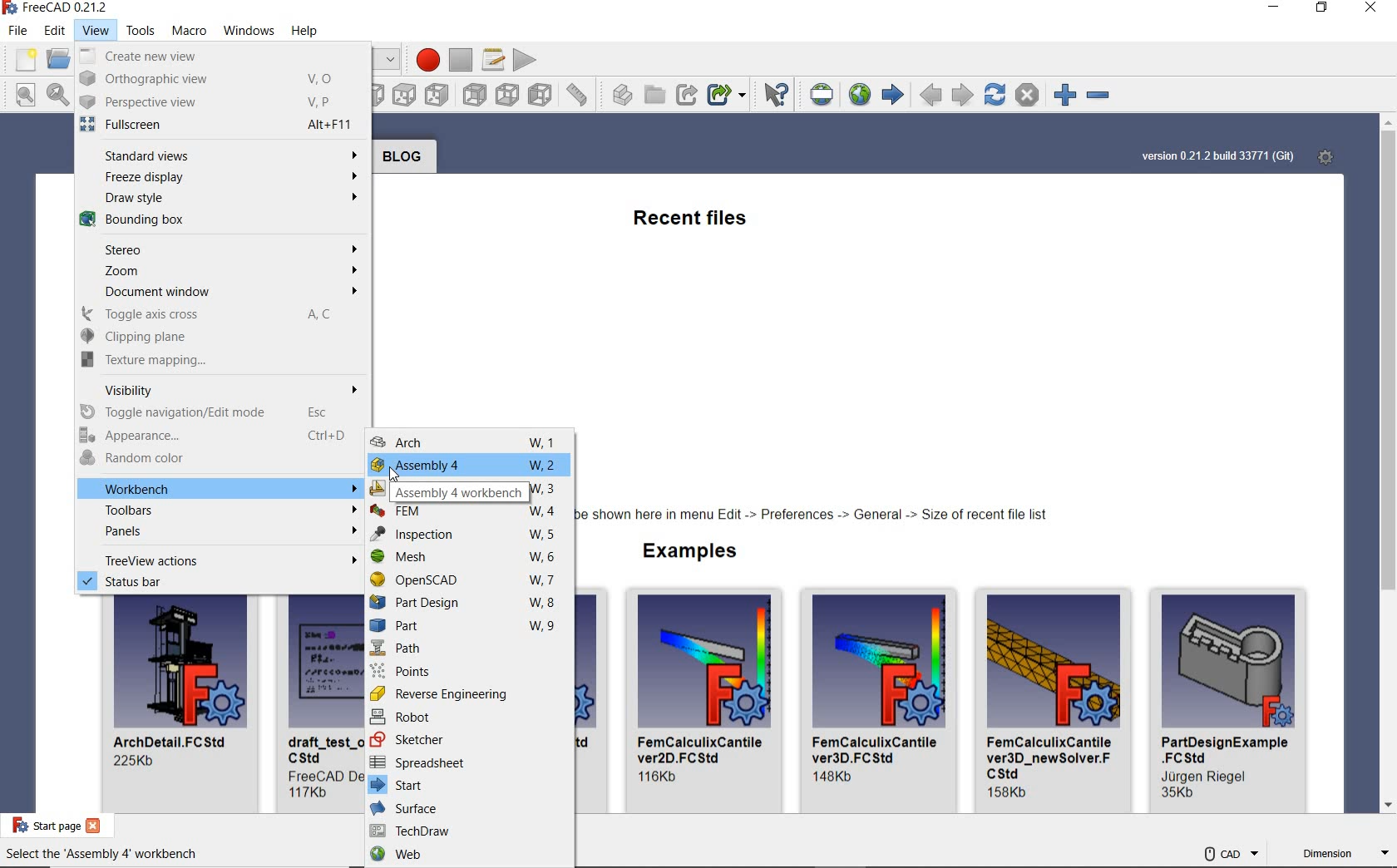 The height and width of the screenshot is (868, 1397). Describe the element at coordinates (140, 32) in the screenshot. I see `tools` at that location.